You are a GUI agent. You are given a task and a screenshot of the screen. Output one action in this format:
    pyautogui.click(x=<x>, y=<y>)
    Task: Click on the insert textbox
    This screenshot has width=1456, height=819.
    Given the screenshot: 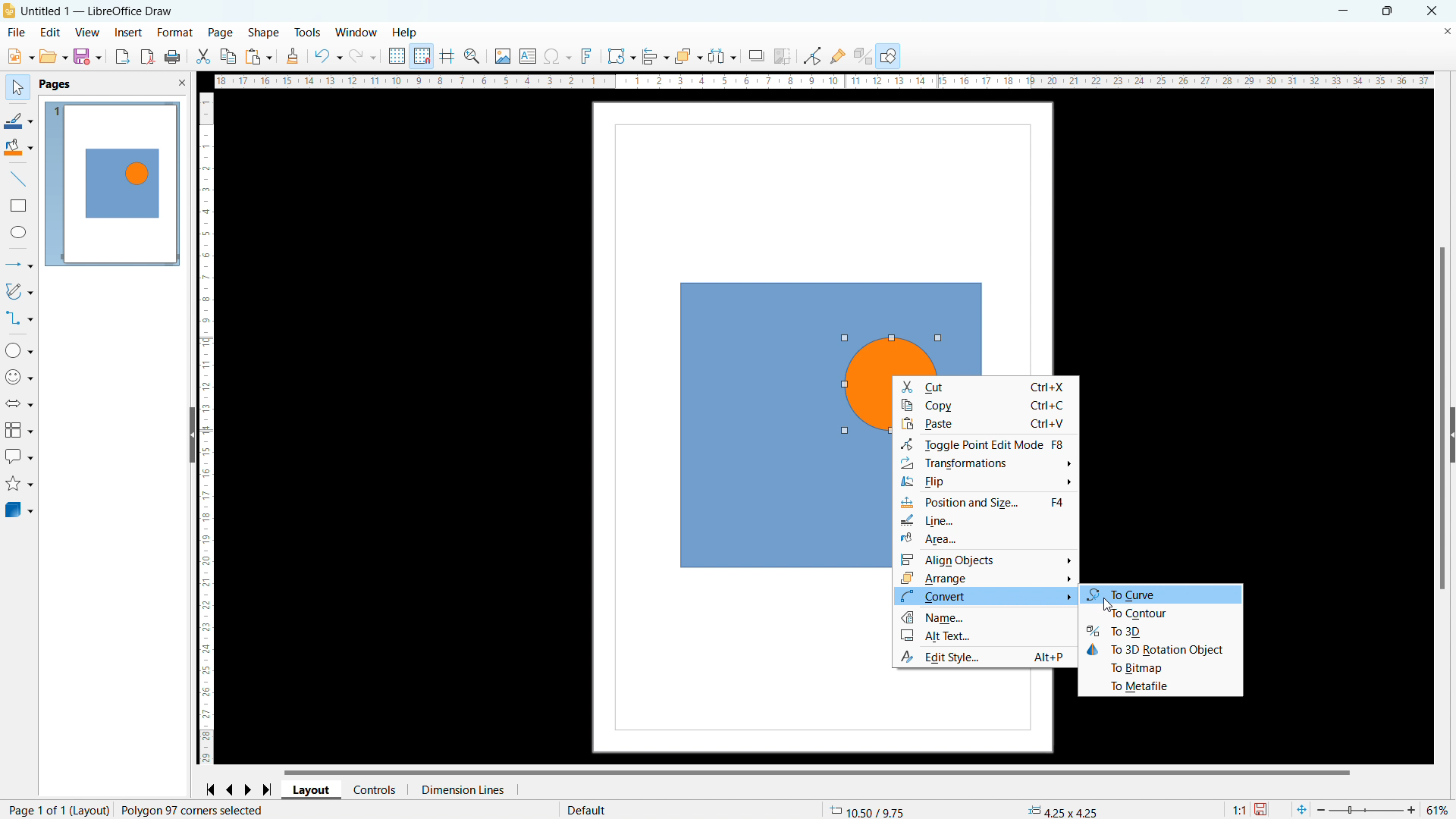 What is the action you would take?
    pyautogui.click(x=528, y=57)
    